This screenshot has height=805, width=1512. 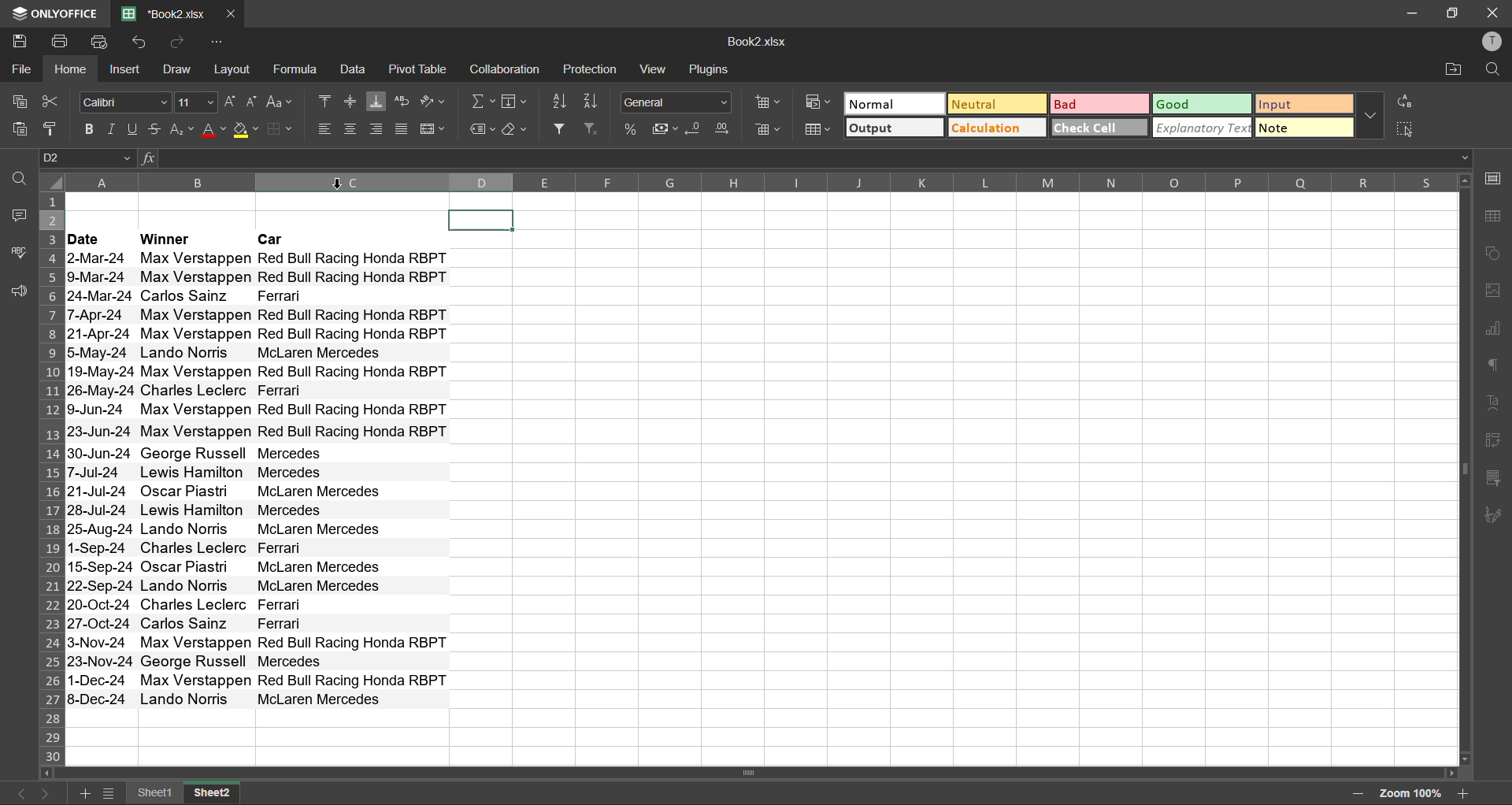 What do you see at coordinates (436, 129) in the screenshot?
I see `merge and center` at bounding box center [436, 129].